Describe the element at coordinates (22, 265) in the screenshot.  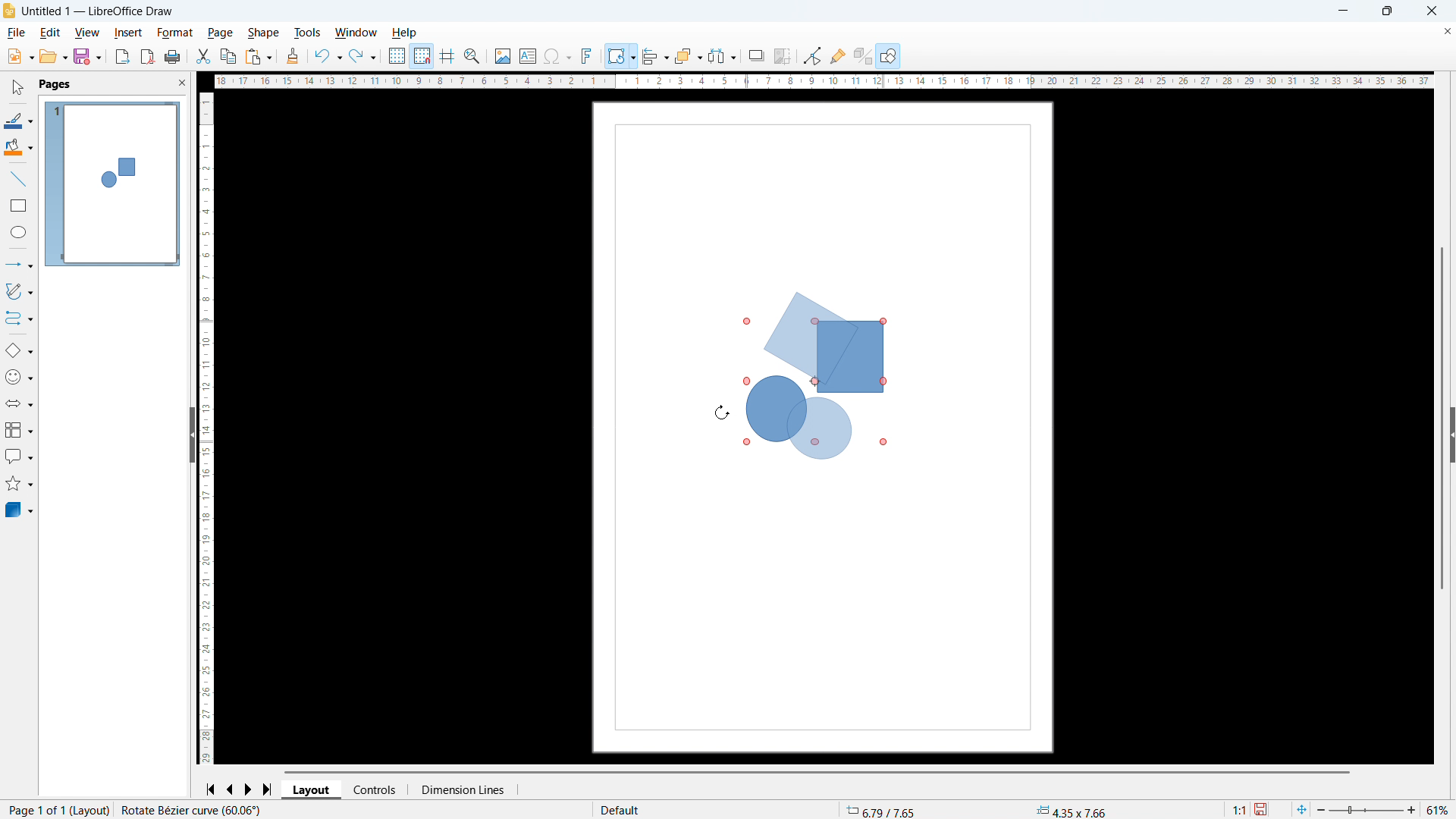
I see `Lines and arrows ` at that location.